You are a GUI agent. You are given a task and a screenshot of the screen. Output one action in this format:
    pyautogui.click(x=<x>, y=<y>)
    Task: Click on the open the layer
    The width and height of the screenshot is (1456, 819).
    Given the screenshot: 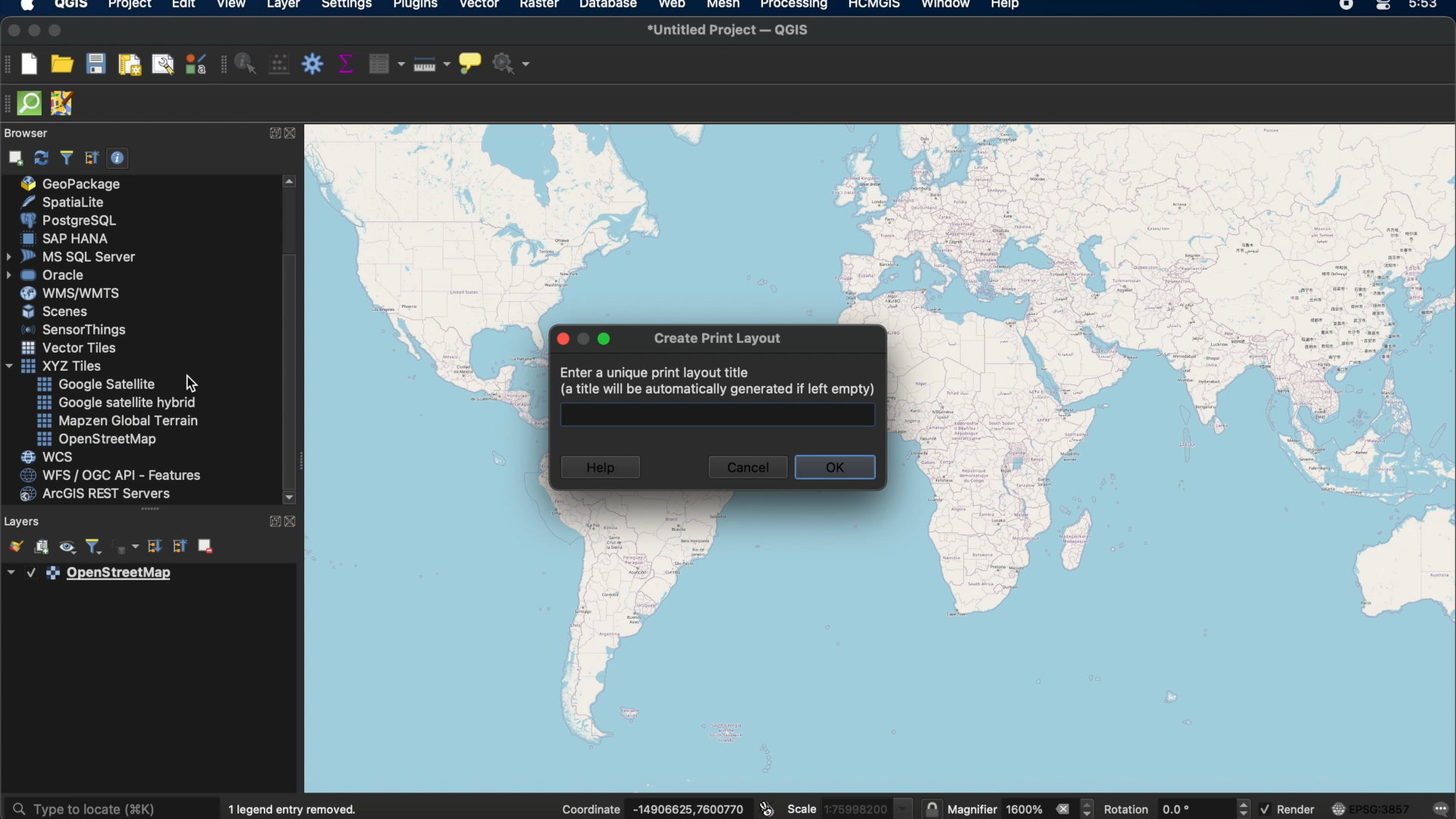 What is the action you would take?
    pyautogui.click(x=16, y=544)
    